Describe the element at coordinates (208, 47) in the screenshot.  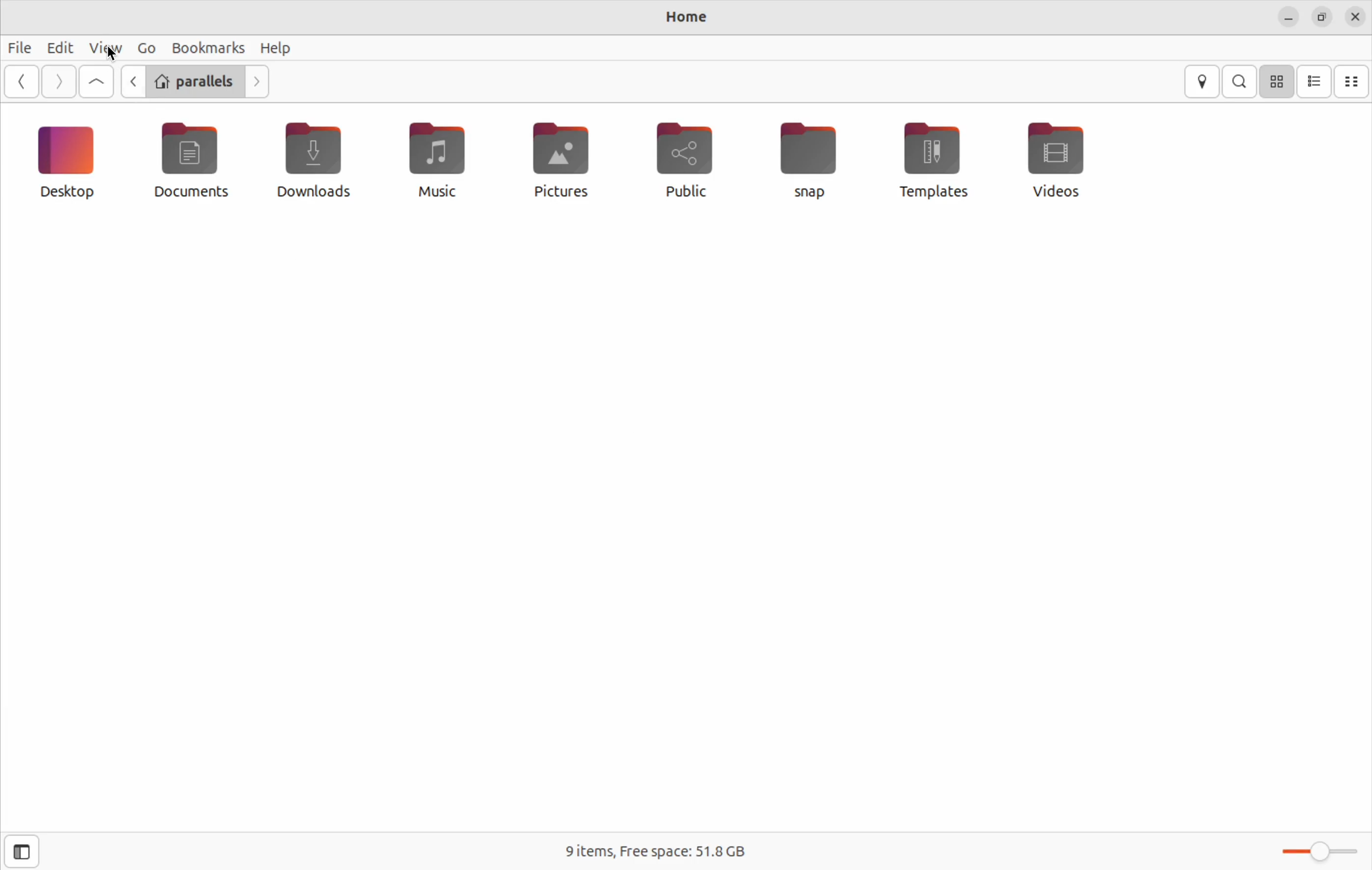
I see `bookmarks` at that location.